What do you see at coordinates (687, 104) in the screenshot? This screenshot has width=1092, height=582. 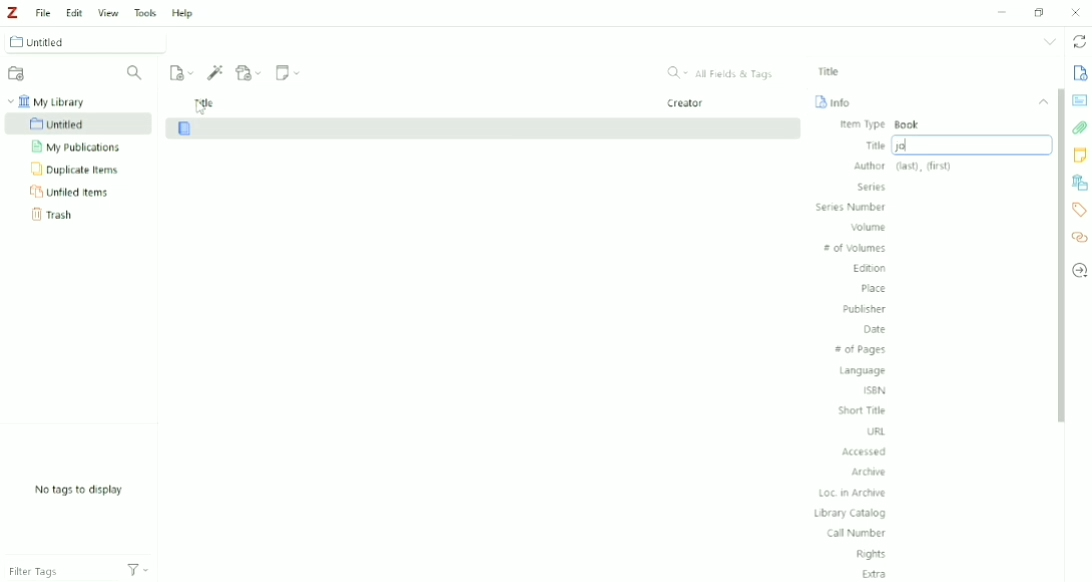 I see `Creator` at bounding box center [687, 104].